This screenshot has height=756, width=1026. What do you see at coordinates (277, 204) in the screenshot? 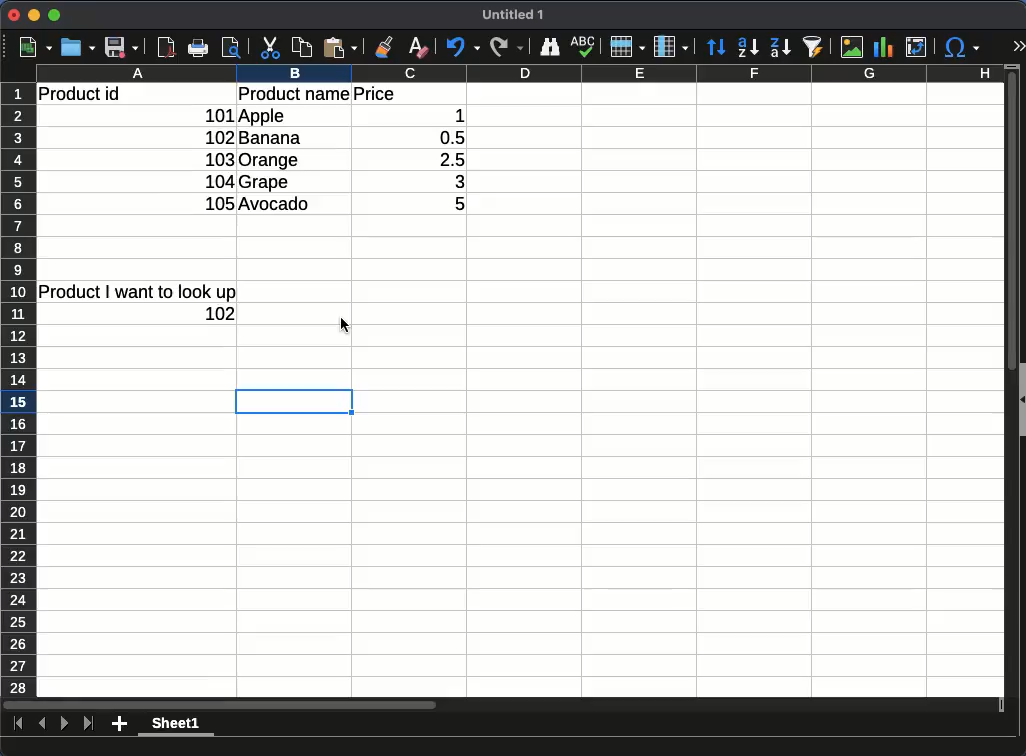
I see `avocado` at bounding box center [277, 204].